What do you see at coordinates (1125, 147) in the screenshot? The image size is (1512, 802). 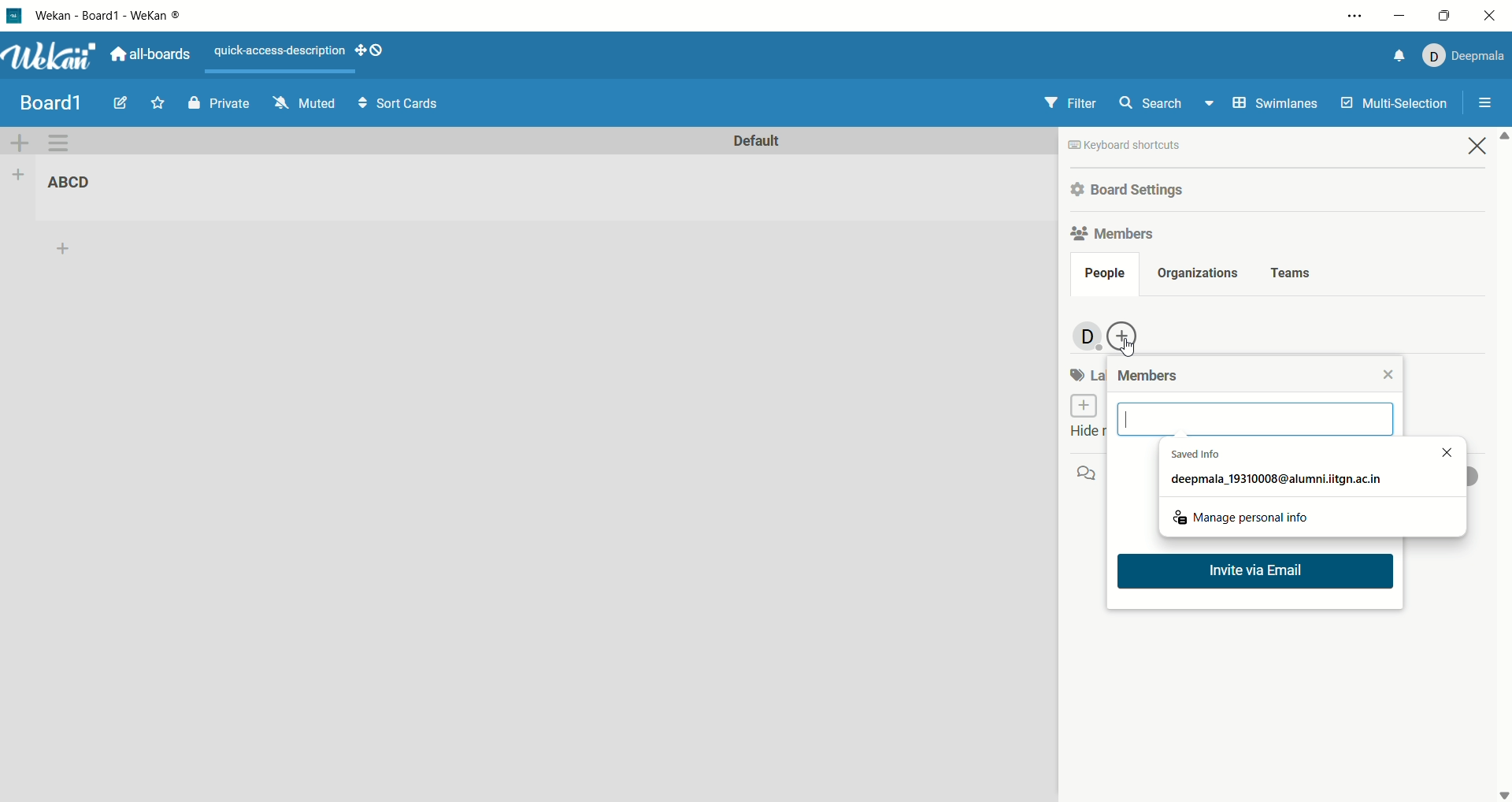 I see `keyboard shortcut` at bounding box center [1125, 147].